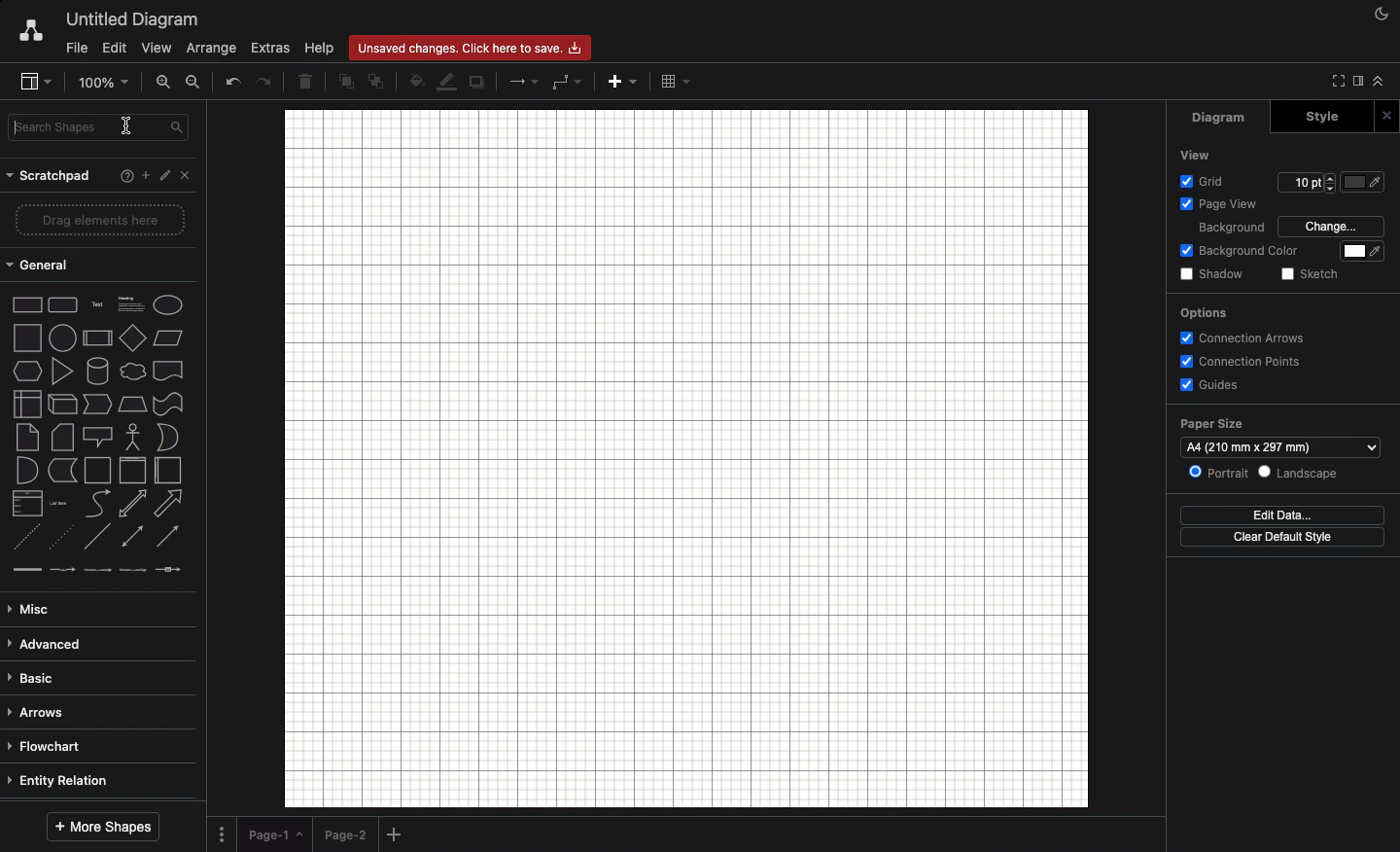 Image resolution: width=1400 pixels, height=852 pixels. Describe the element at coordinates (1299, 471) in the screenshot. I see `Landscape` at that location.